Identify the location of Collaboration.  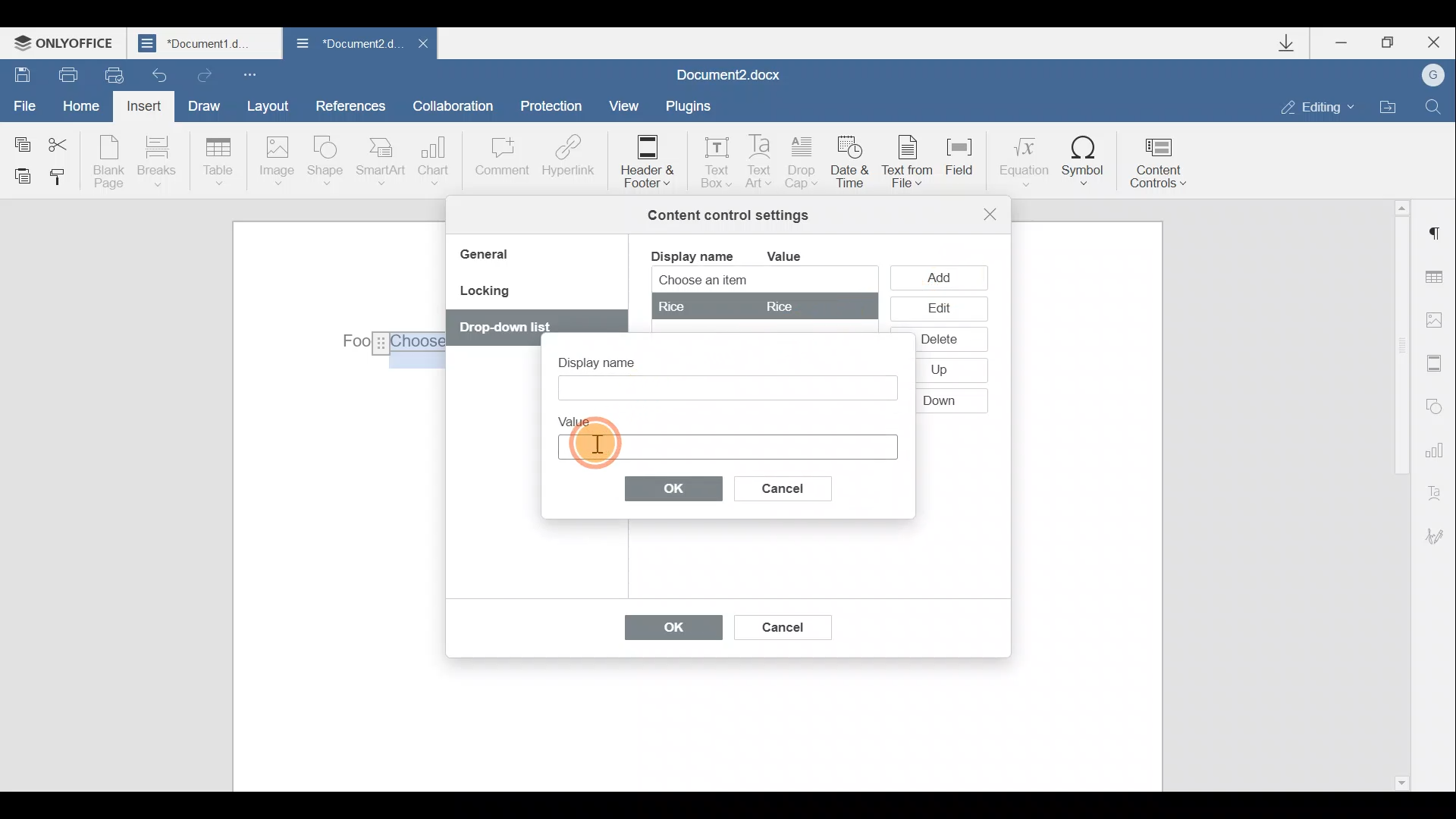
(459, 105).